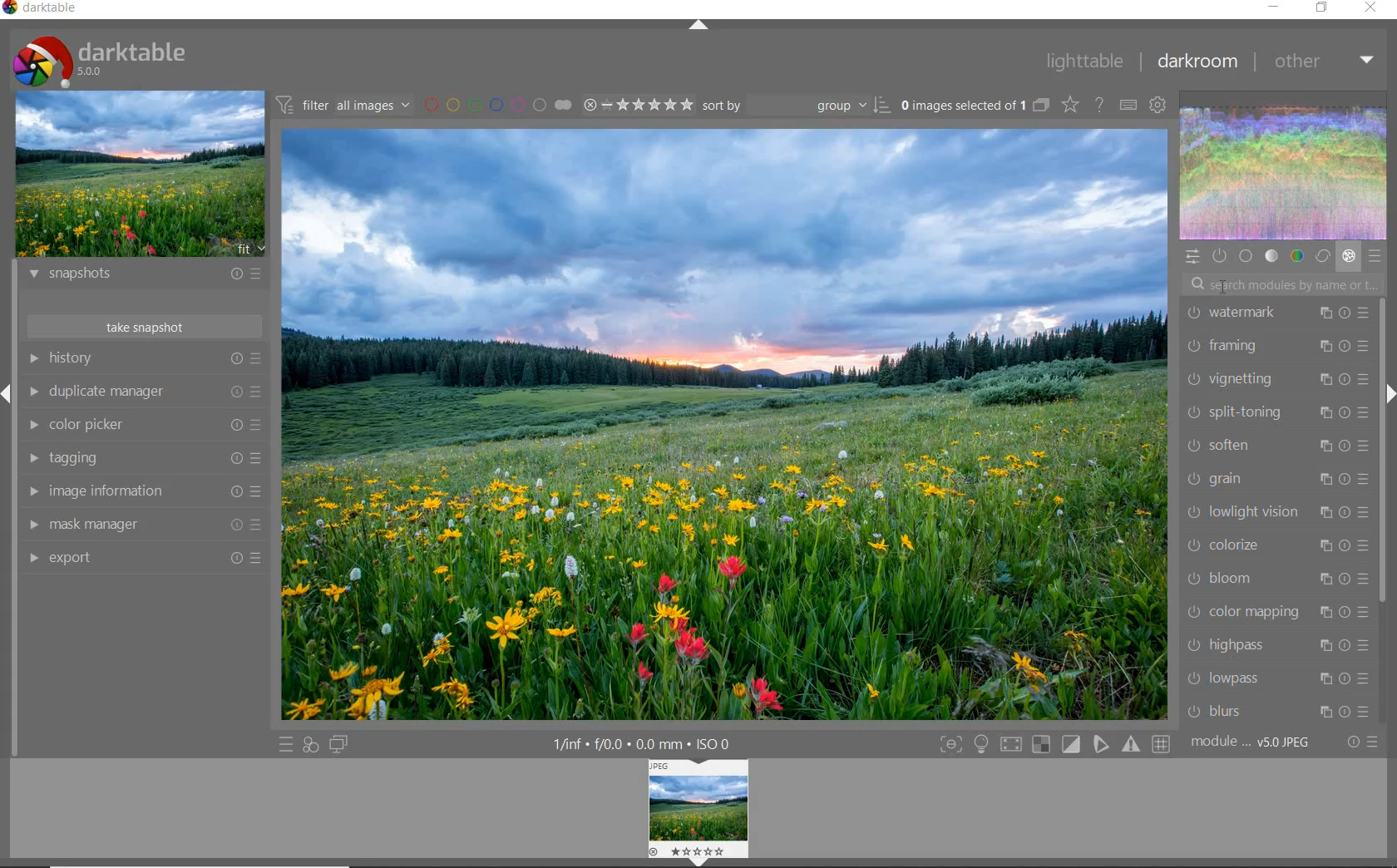 This screenshot has width=1397, height=868. Describe the element at coordinates (1273, 7) in the screenshot. I see `minimize` at that location.